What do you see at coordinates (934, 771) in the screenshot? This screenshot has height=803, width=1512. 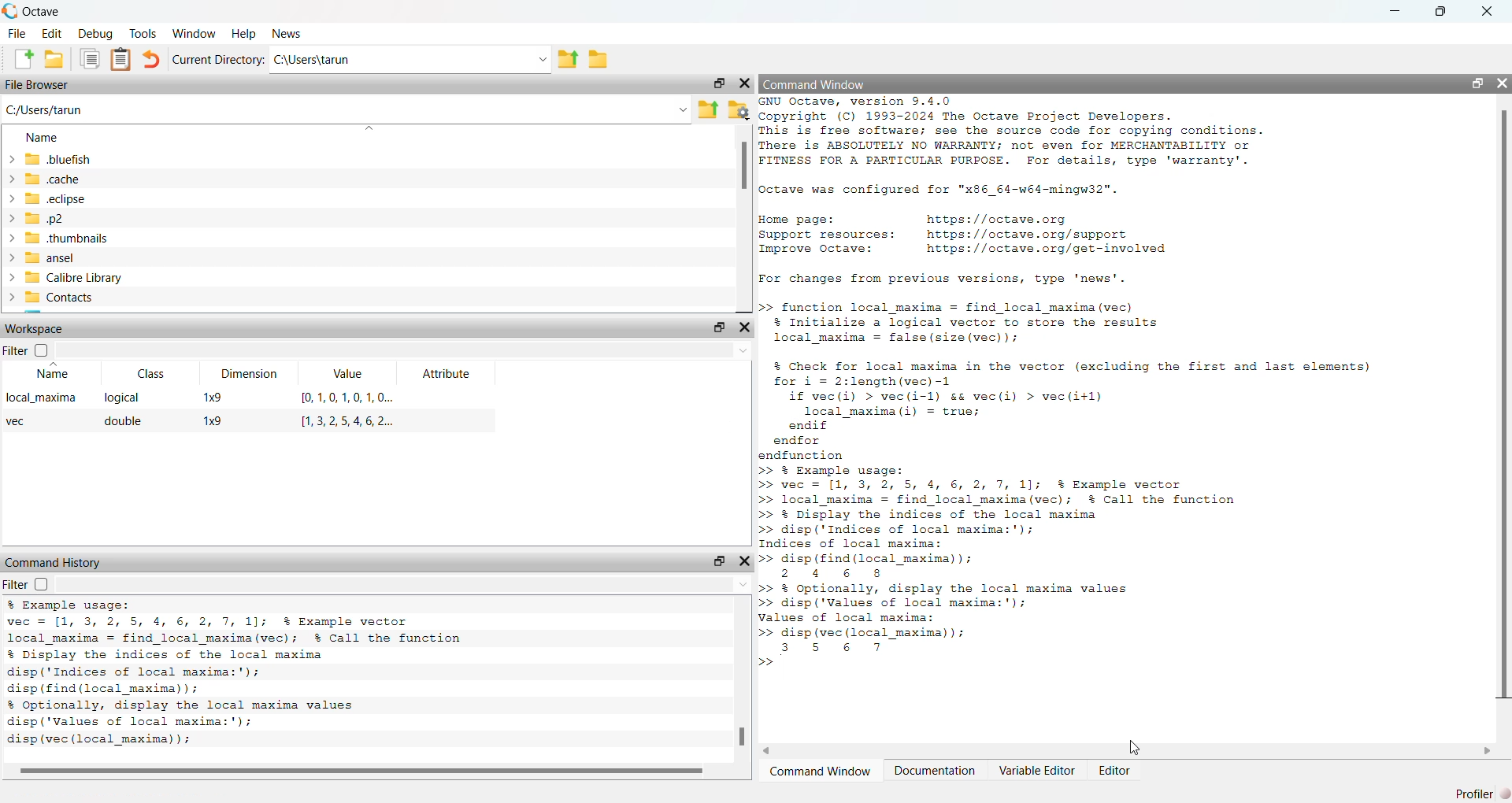 I see `Documentation` at bounding box center [934, 771].